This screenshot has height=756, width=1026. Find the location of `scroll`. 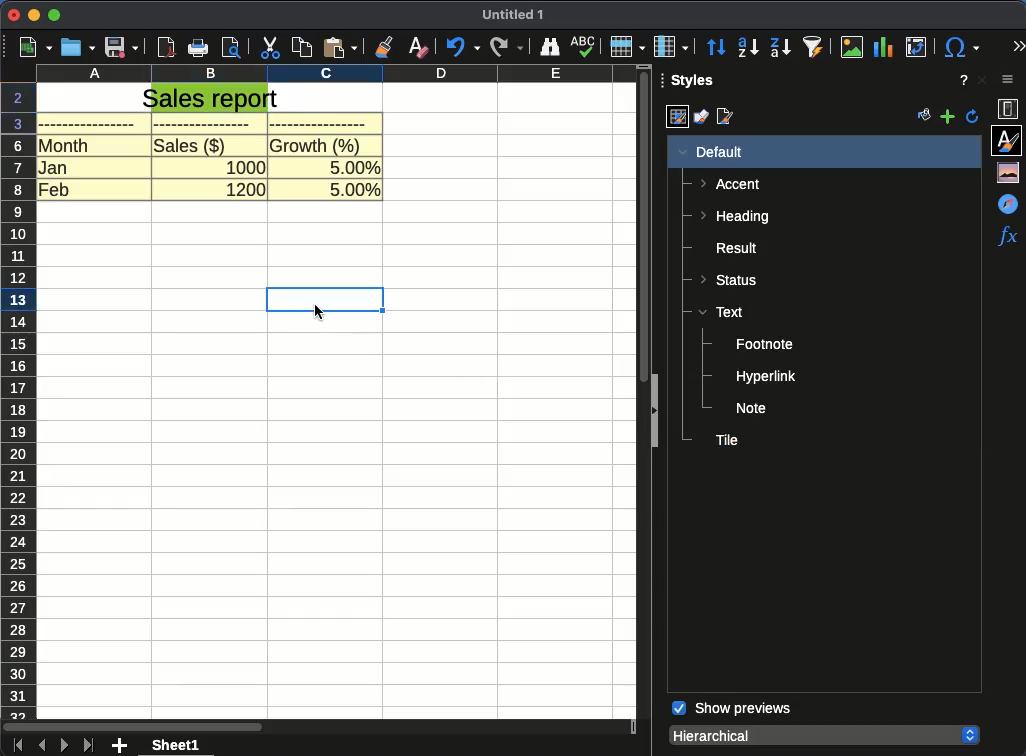

scroll is located at coordinates (318, 728).